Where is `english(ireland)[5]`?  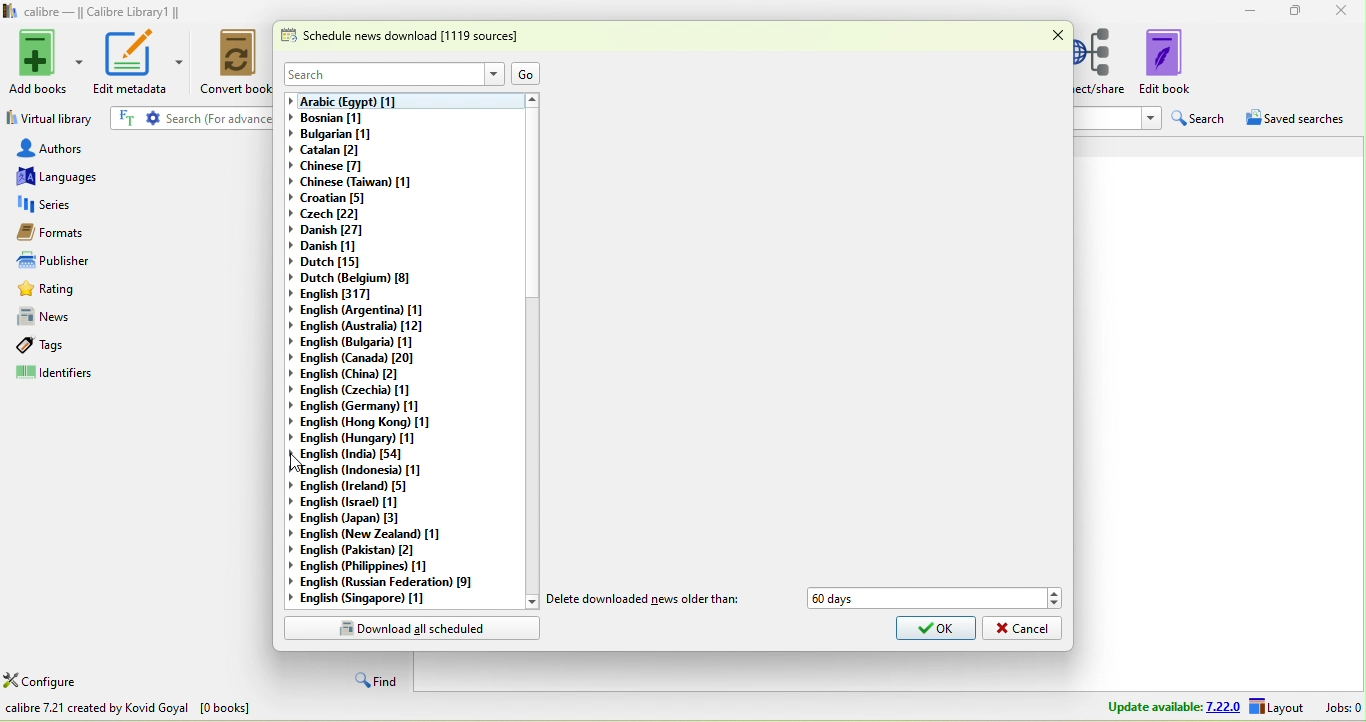
english(ireland)[5] is located at coordinates (360, 486).